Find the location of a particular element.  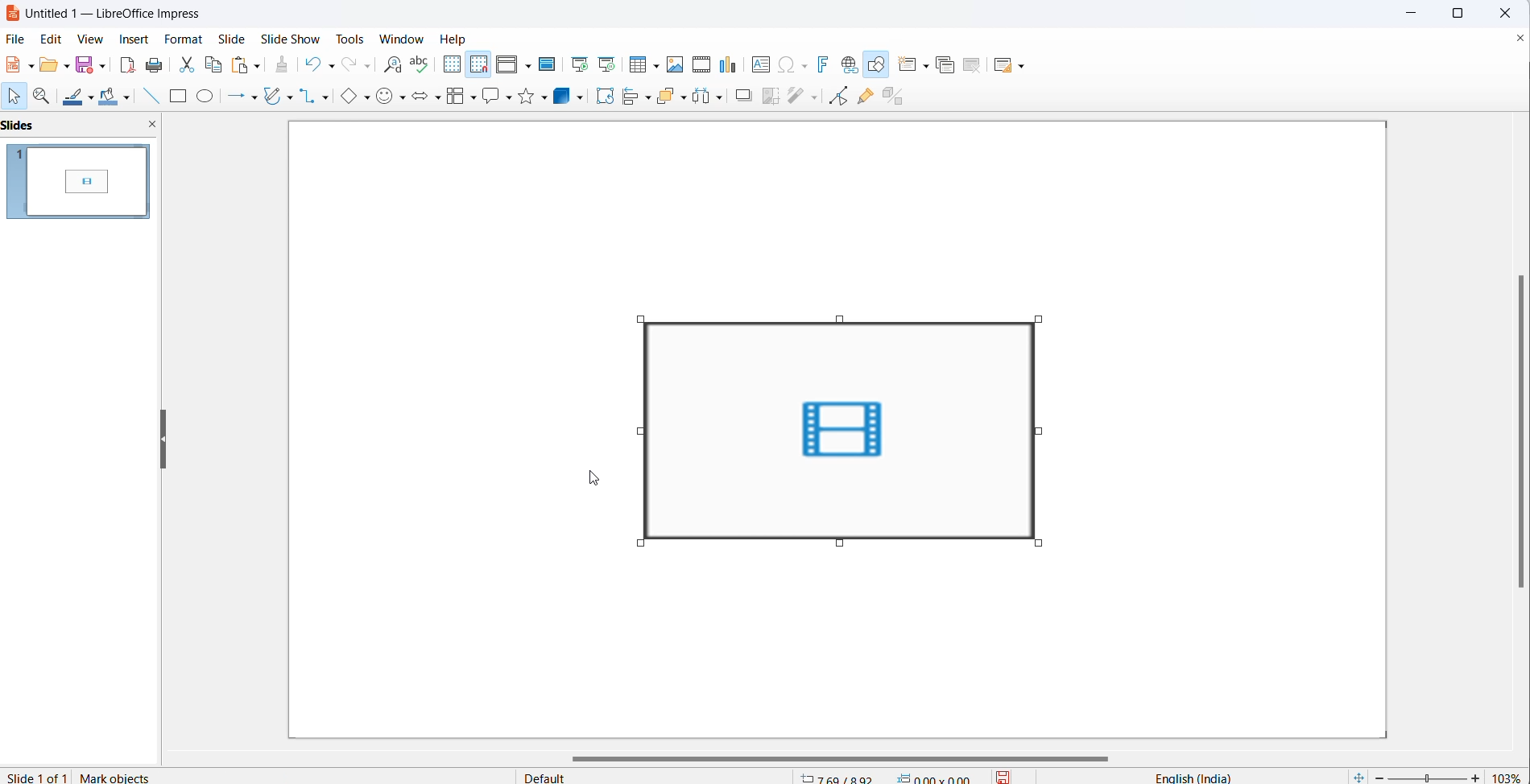

arrange is located at coordinates (666, 97).